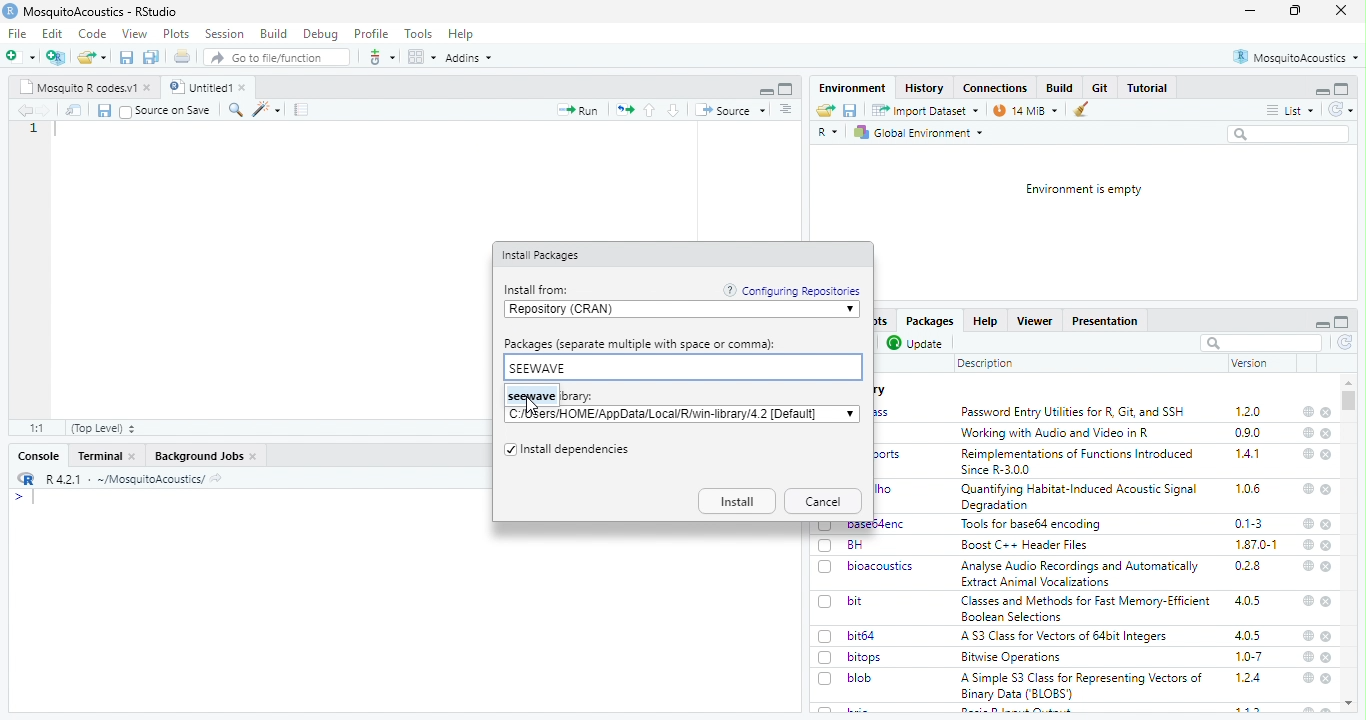 The image size is (1366, 720). What do you see at coordinates (1295, 57) in the screenshot?
I see `MosquitoAcoustics` at bounding box center [1295, 57].